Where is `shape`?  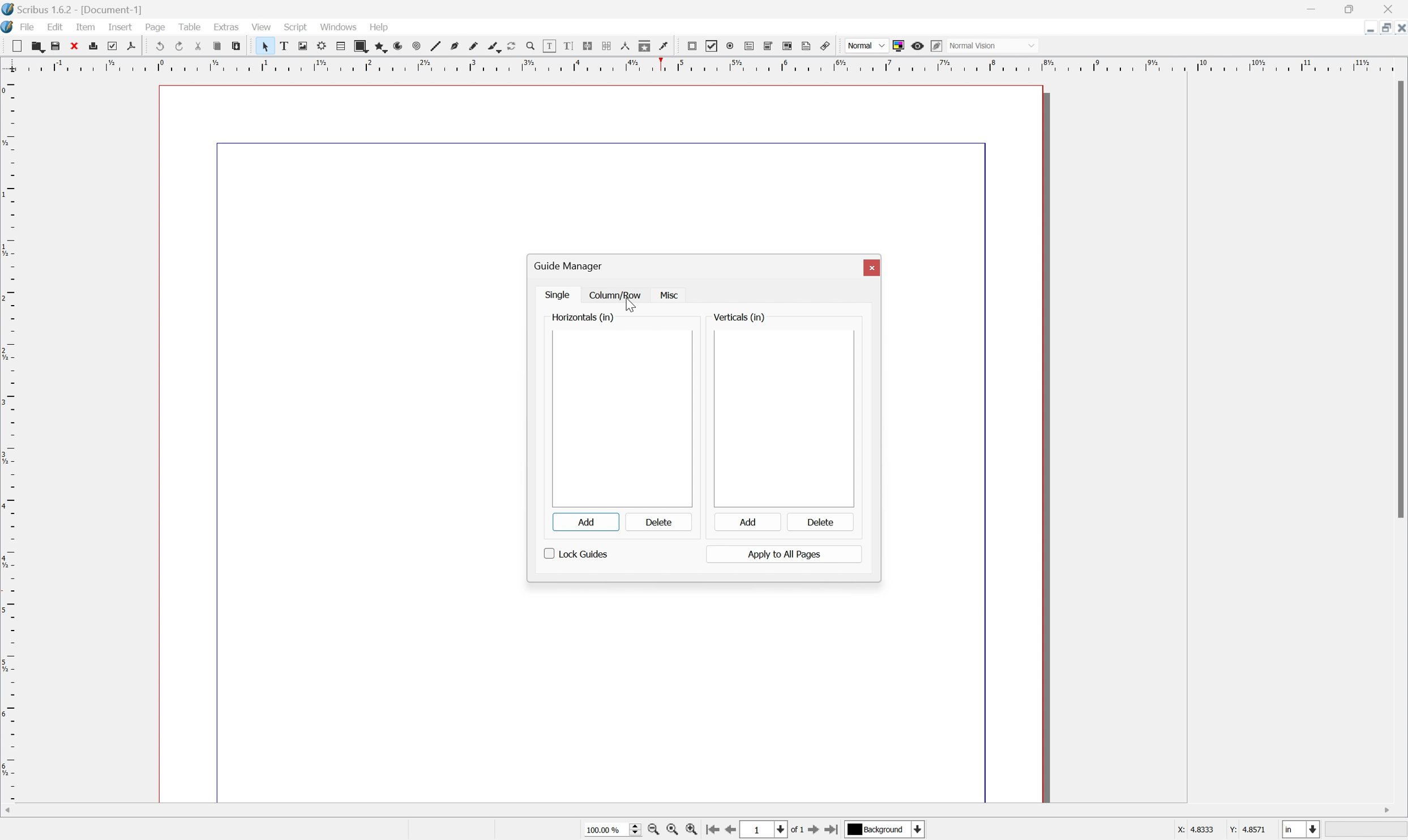 shape is located at coordinates (361, 47).